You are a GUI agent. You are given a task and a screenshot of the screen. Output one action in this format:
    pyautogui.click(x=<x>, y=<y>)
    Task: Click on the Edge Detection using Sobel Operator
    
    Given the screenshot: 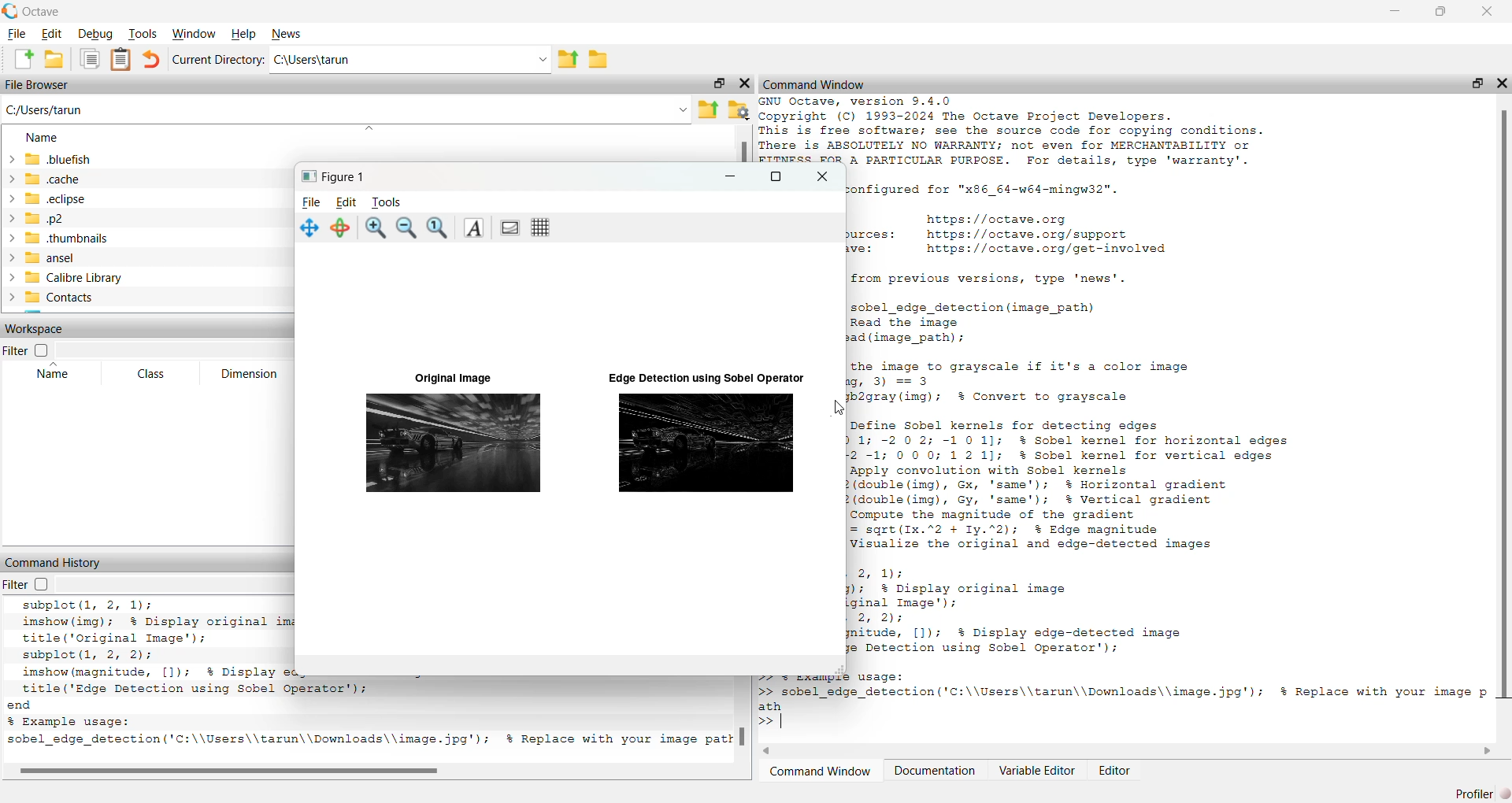 What is the action you would take?
    pyautogui.click(x=698, y=378)
    